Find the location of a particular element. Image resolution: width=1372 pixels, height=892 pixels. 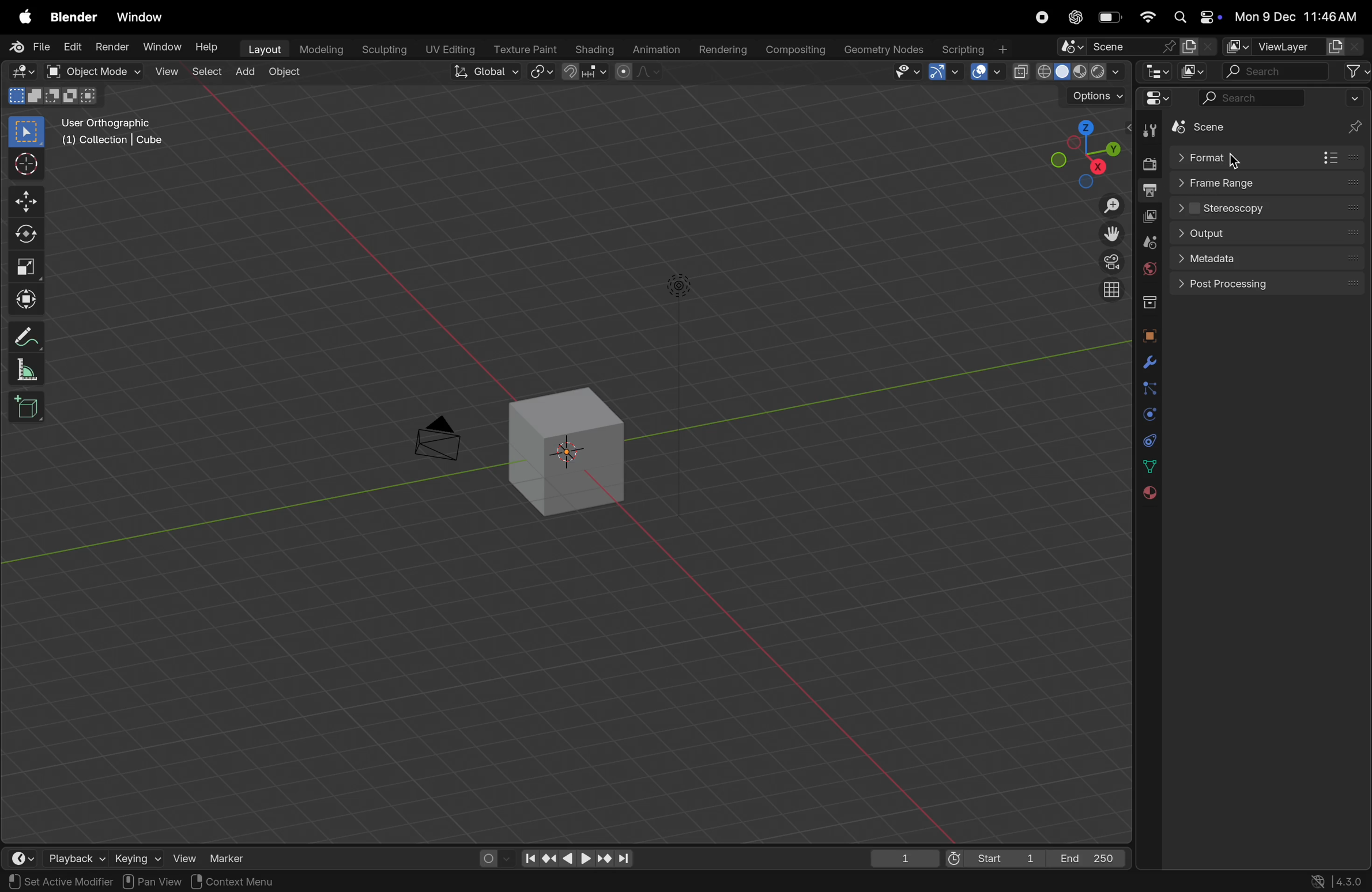

view is located at coordinates (184, 856).